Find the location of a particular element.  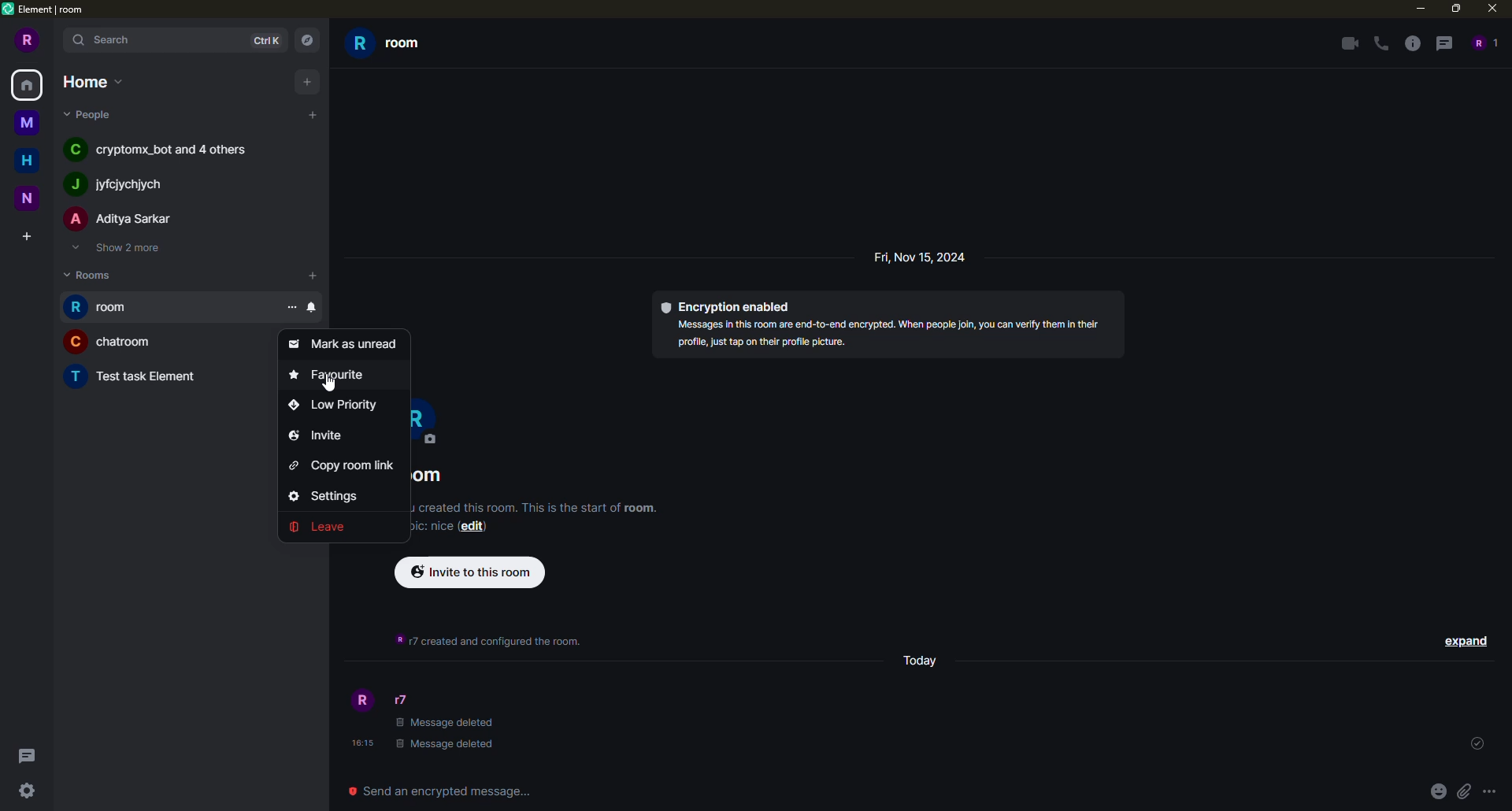

C  cryptomx_bot and 4 others is located at coordinates (150, 150).